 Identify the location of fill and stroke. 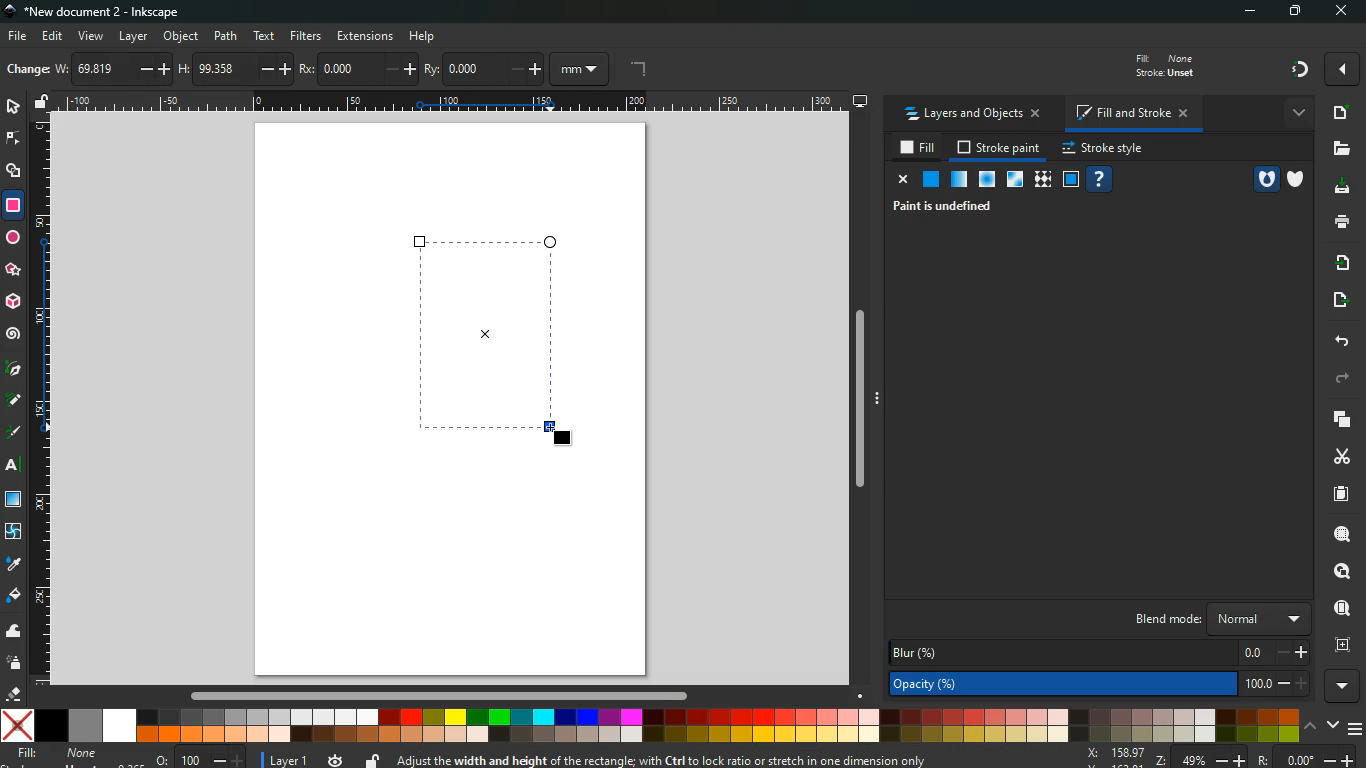
(1132, 112).